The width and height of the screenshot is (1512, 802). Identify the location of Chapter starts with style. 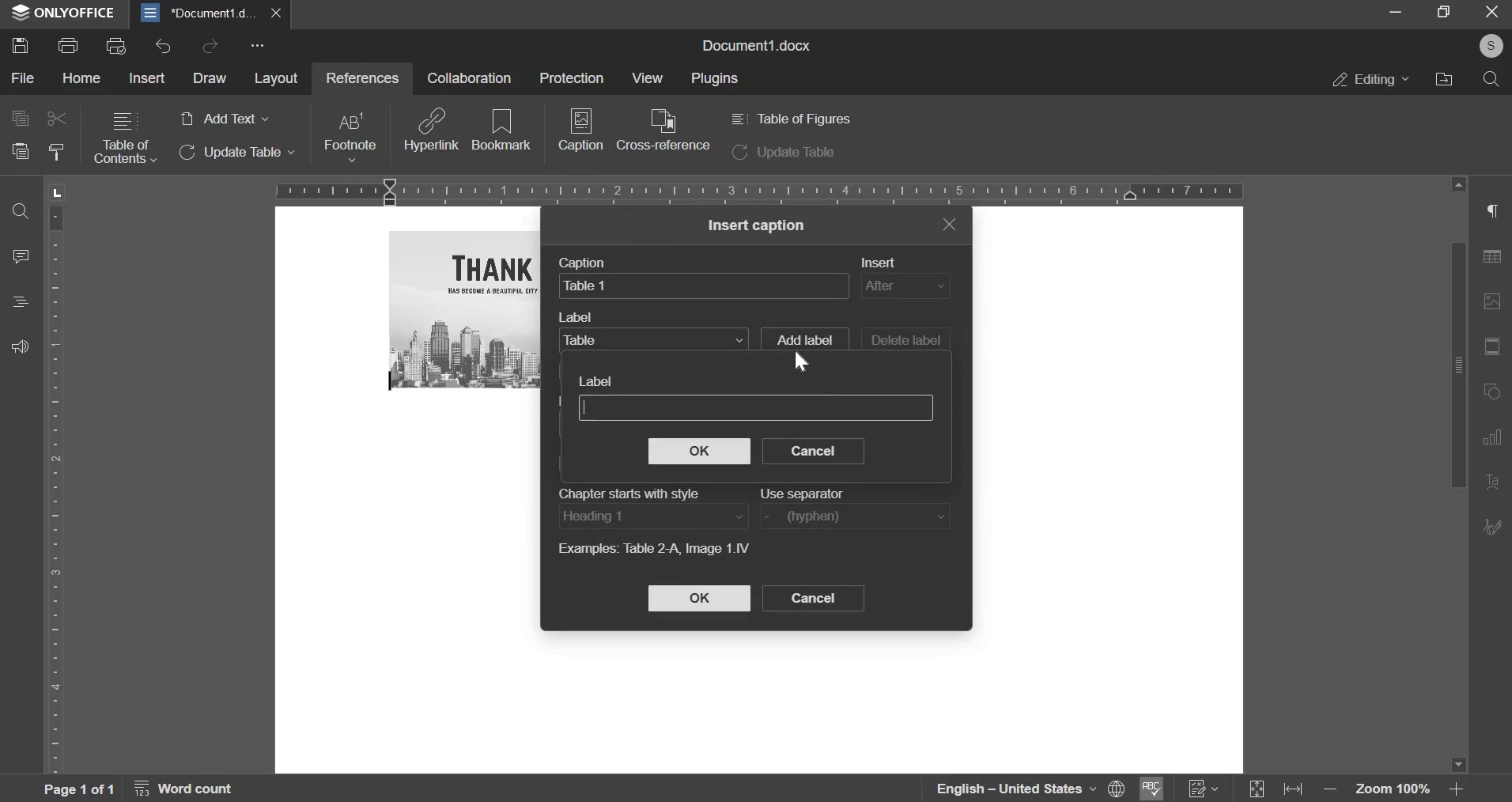
(627, 493).